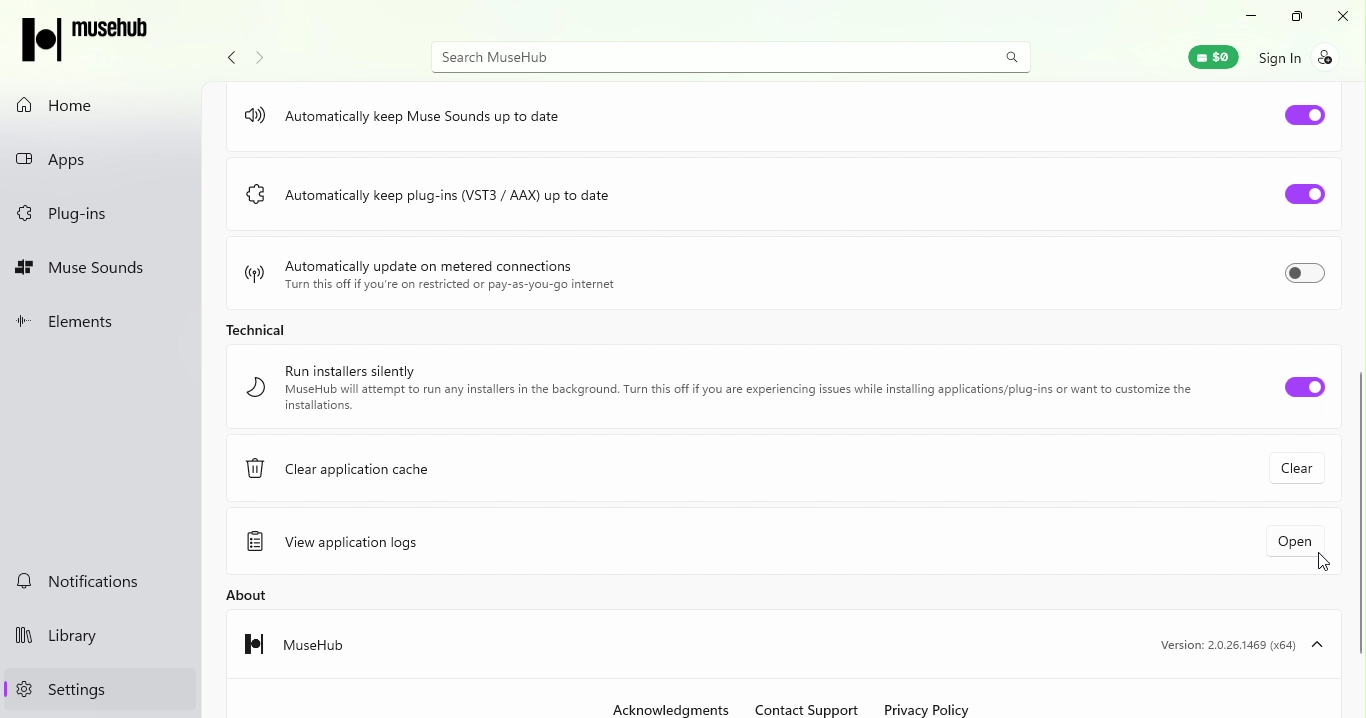 Image resolution: width=1366 pixels, height=718 pixels. Describe the element at coordinates (76, 581) in the screenshot. I see `Notifications` at that location.